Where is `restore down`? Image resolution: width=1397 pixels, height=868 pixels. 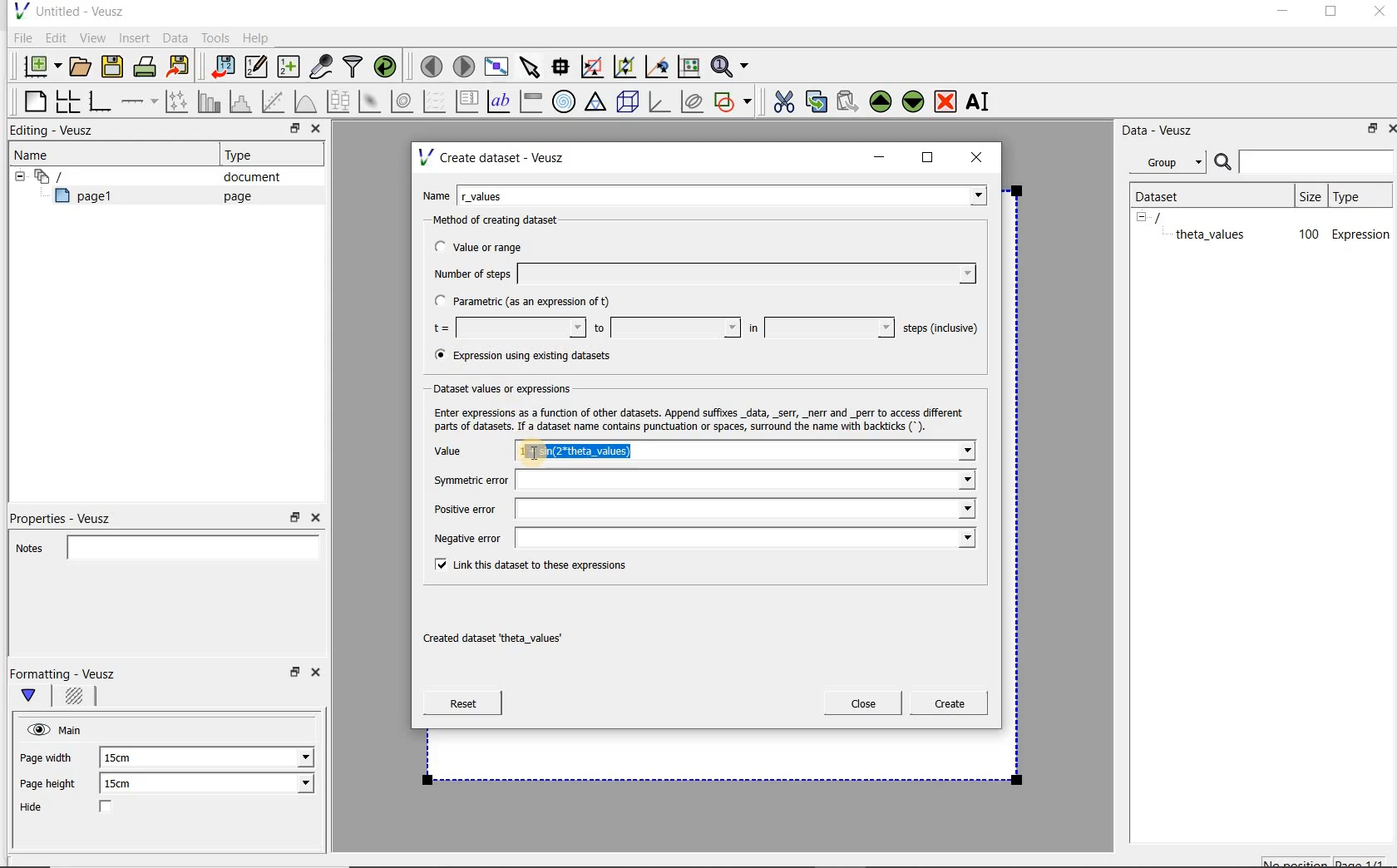 restore down is located at coordinates (295, 518).